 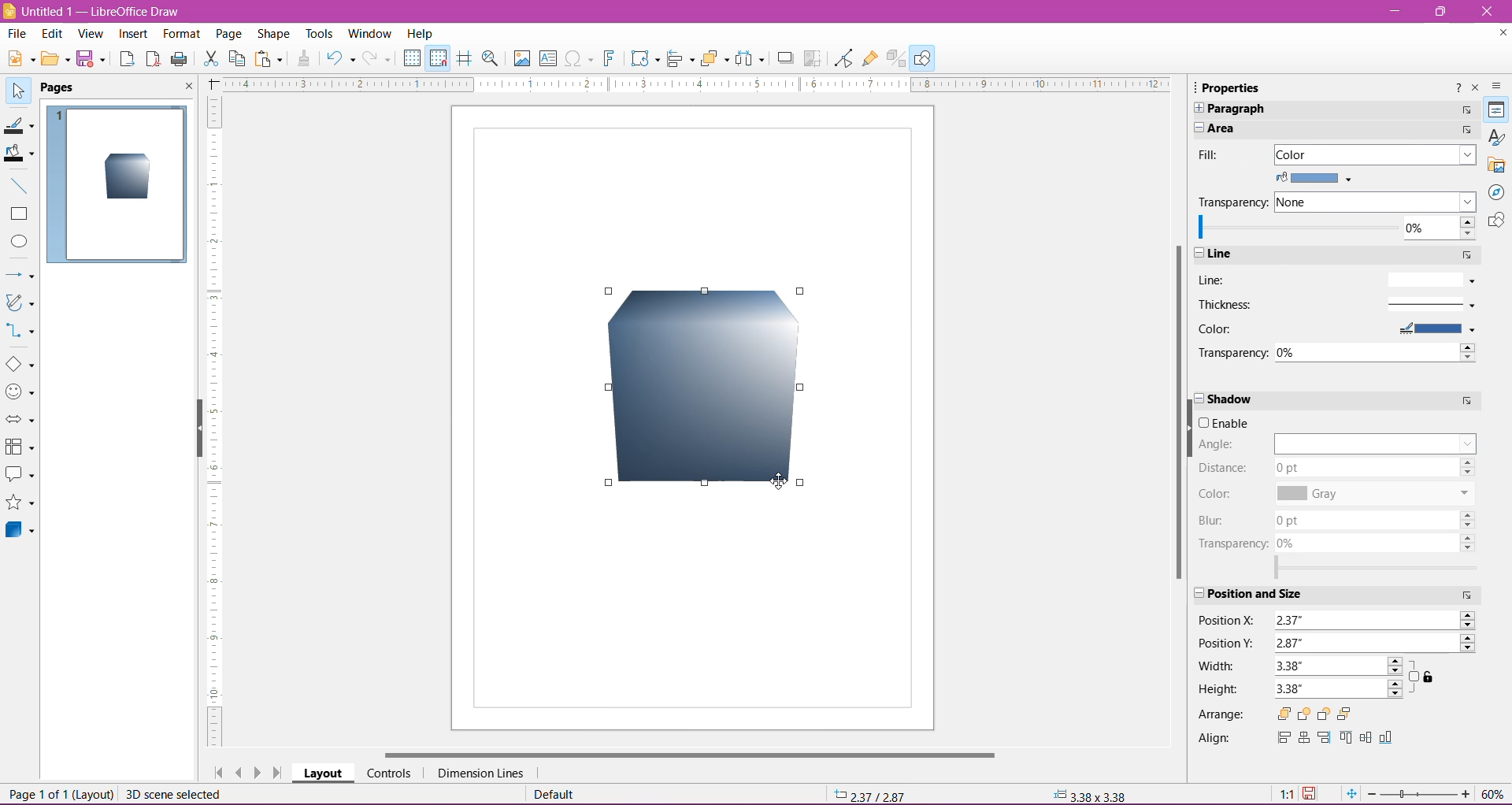 I want to click on Cube Shape inserted, so click(x=128, y=178).